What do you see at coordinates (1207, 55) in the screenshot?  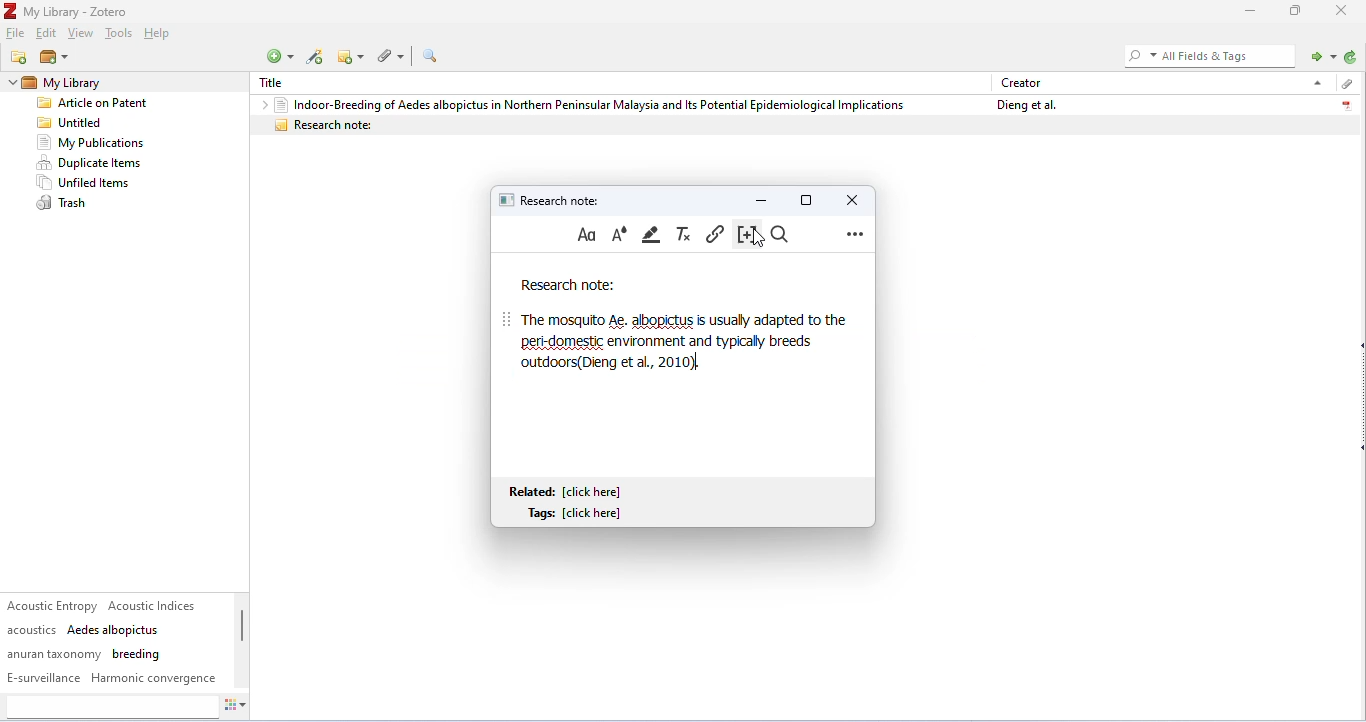 I see `all fields and tagd` at bounding box center [1207, 55].